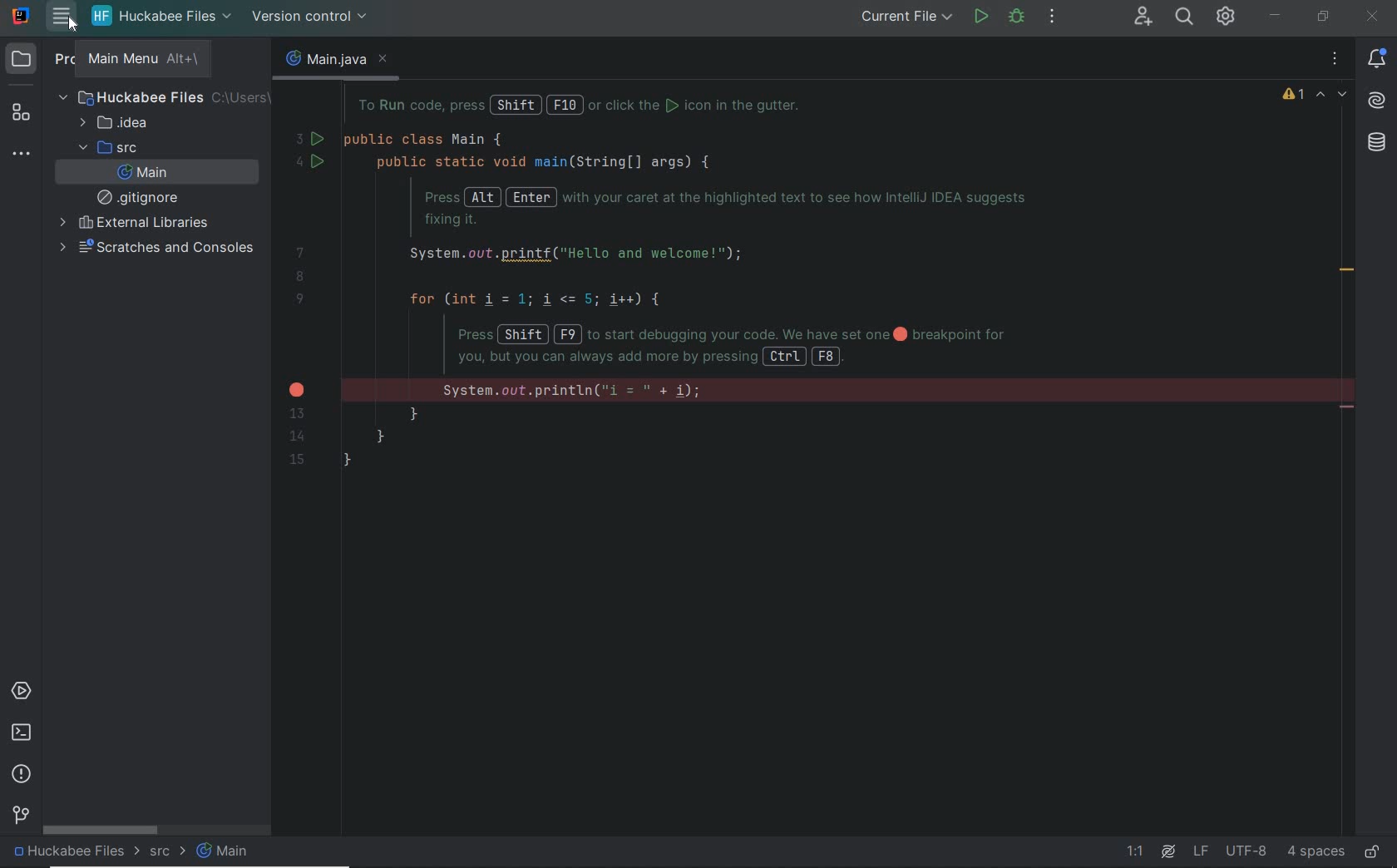 This screenshot has width=1397, height=868. Describe the element at coordinates (37, 61) in the screenshot. I see `project` at that location.